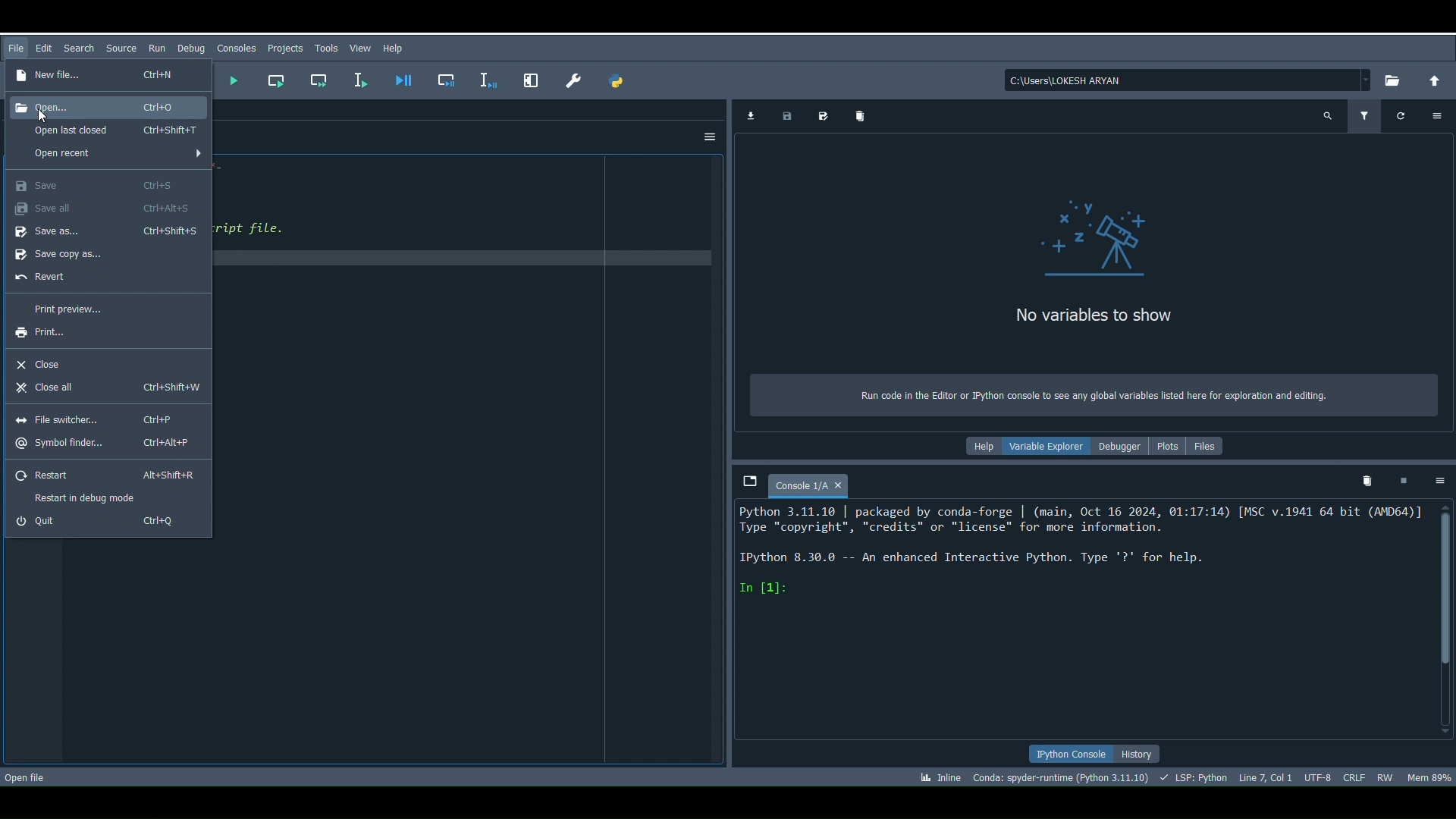 The width and height of the screenshot is (1456, 819). What do you see at coordinates (485, 77) in the screenshot?
I see `Debug selection or current line` at bounding box center [485, 77].